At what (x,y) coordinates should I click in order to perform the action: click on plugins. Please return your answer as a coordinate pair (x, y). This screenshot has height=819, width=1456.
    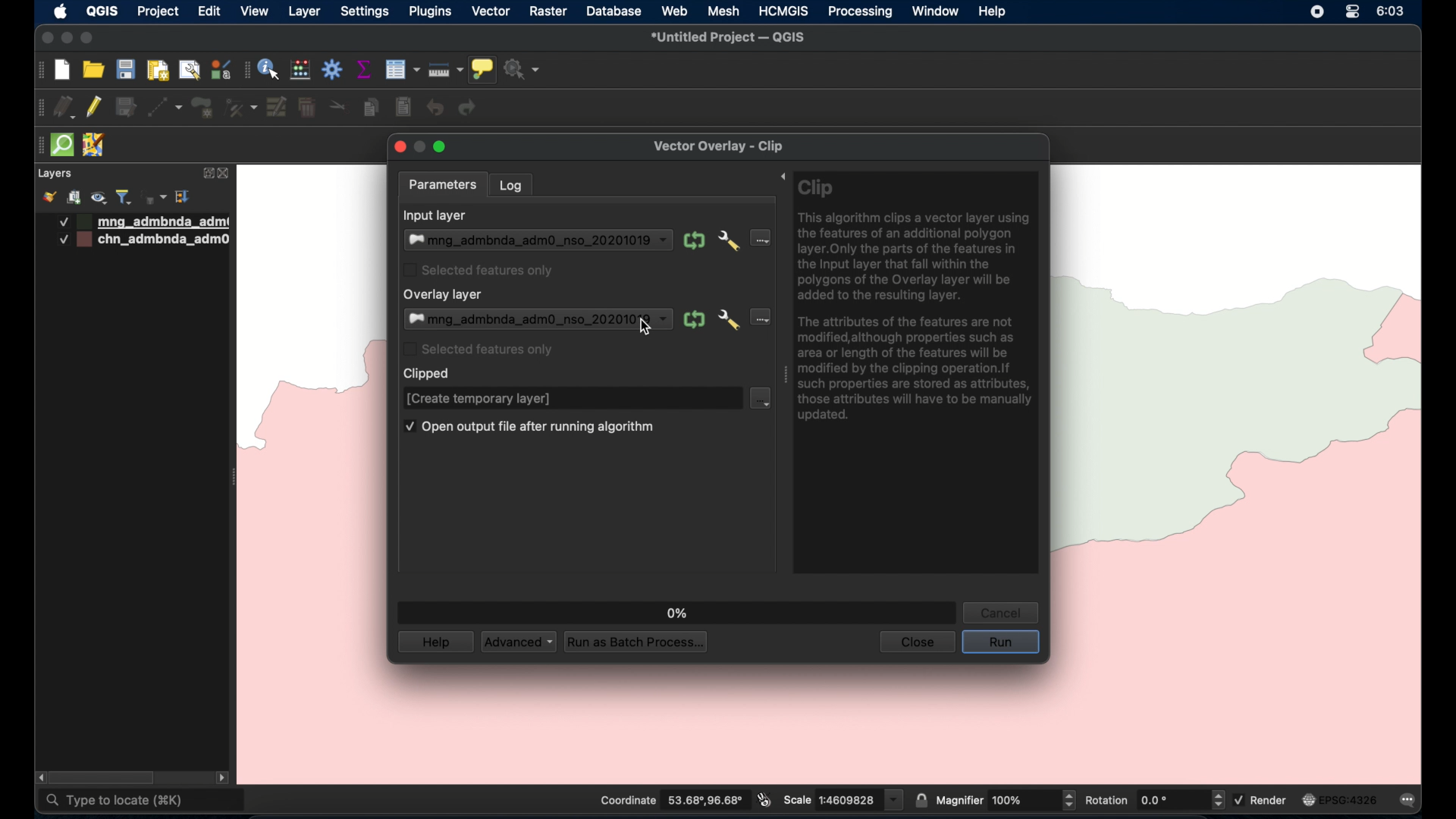
    Looking at the image, I should click on (429, 11).